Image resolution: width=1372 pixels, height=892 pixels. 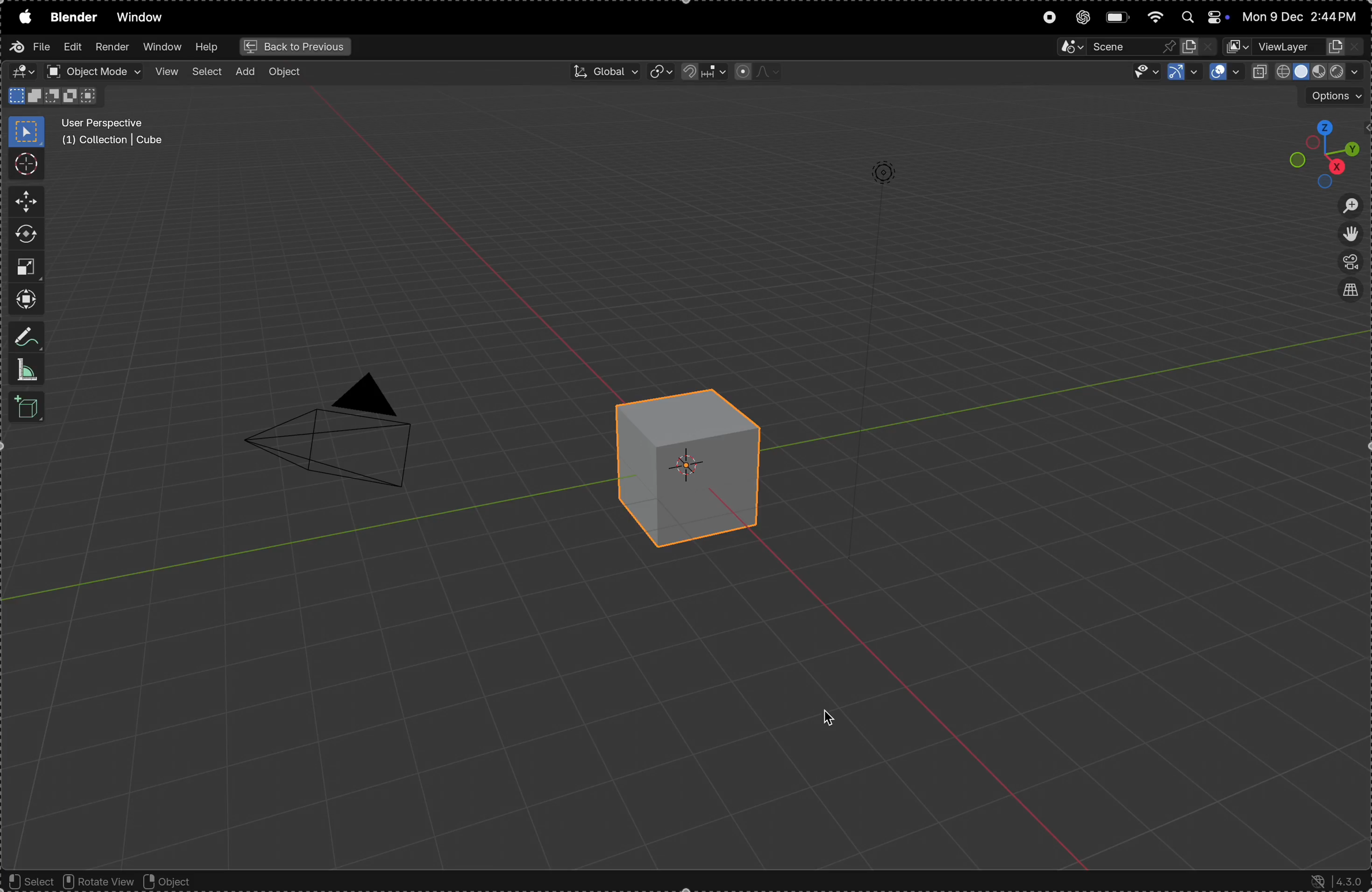 What do you see at coordinates (24, 233) in the screenshot?
I see `rotate` at bounding box center [24, 233].